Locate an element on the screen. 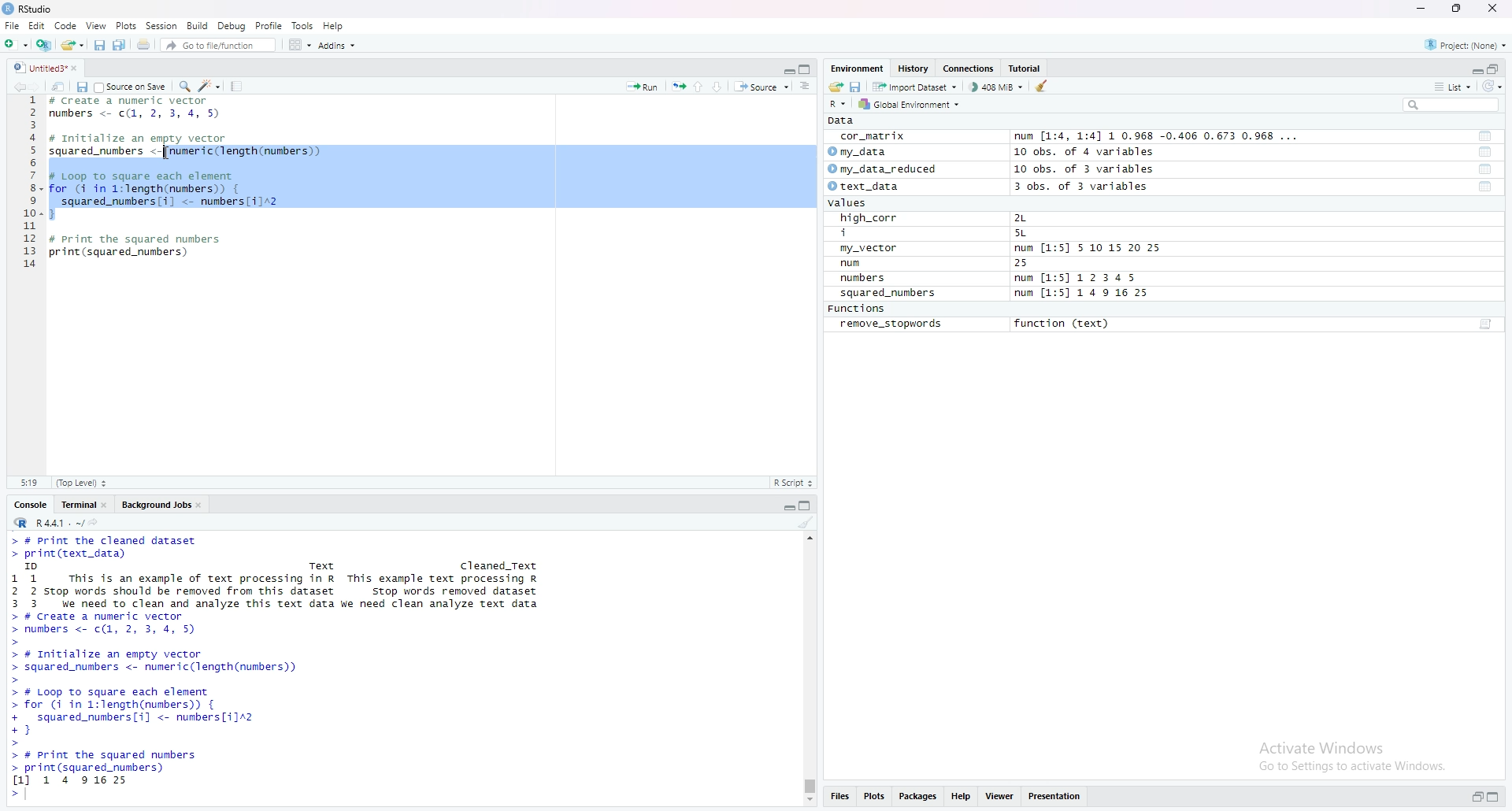 This screenshot has height=811, width=1512. Run is located at coordinates (643, 85).